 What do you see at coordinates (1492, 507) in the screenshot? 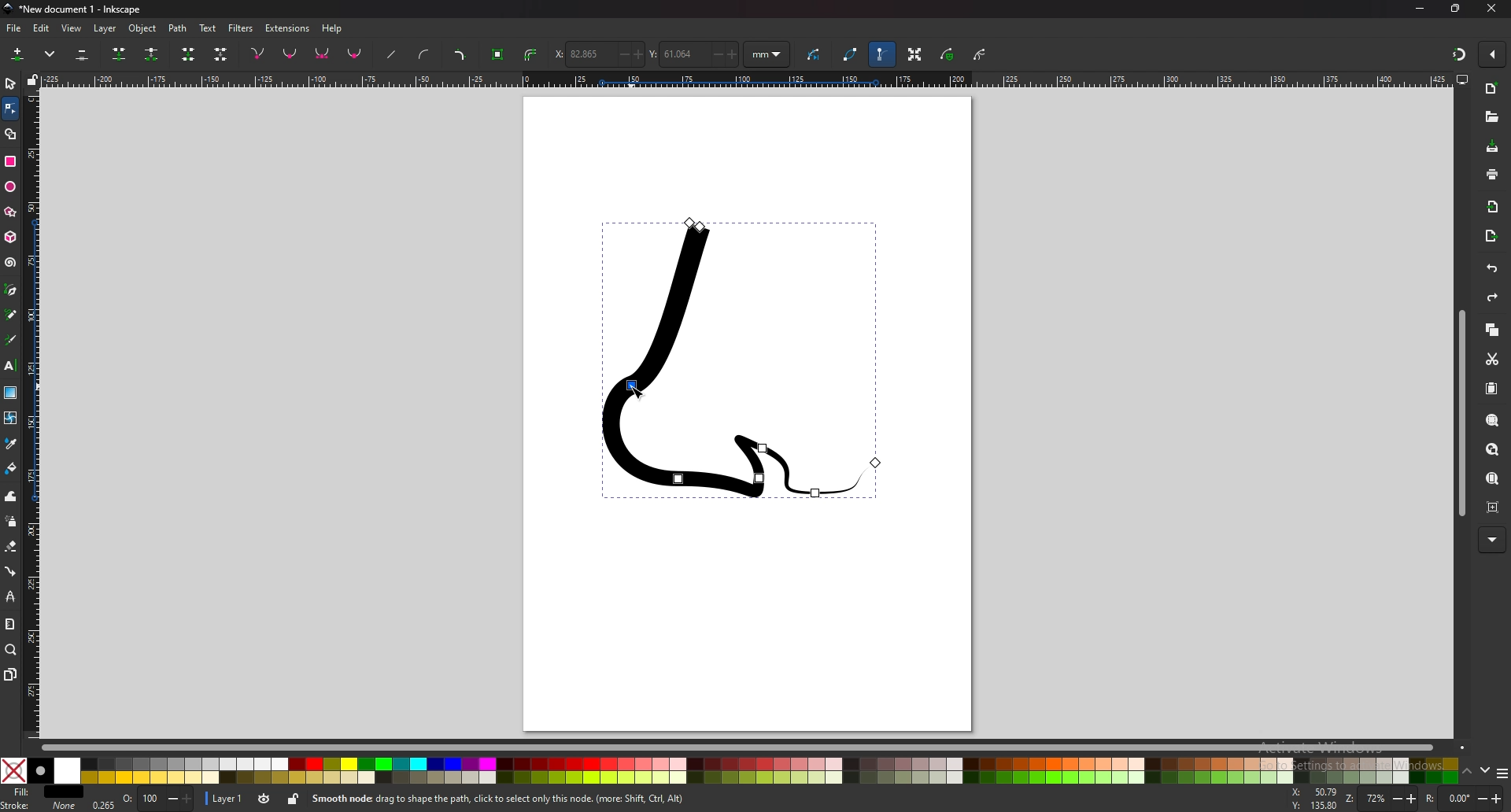
I see `zoom center page` at bounding box center [1492, 507].